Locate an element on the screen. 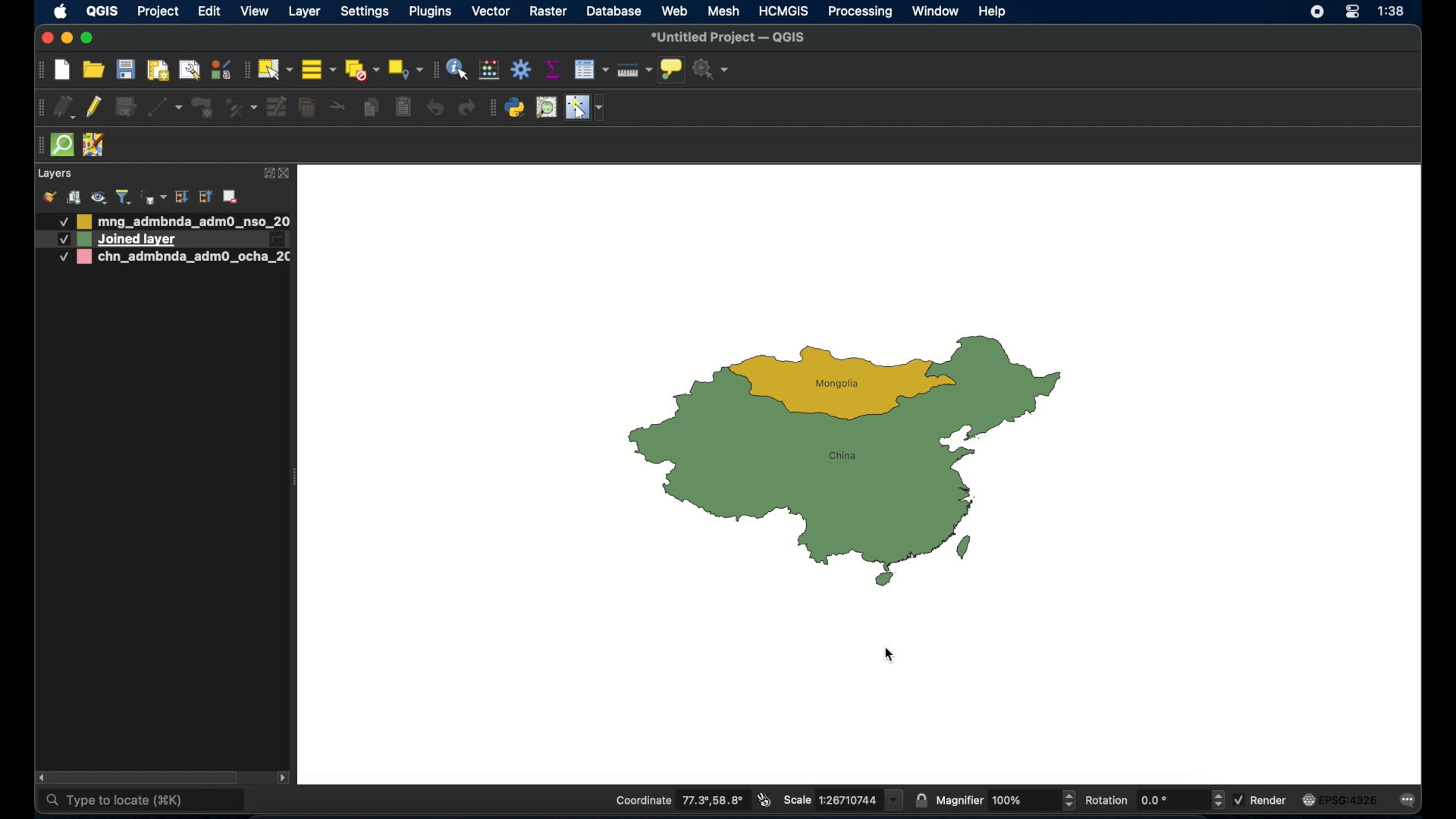 The height and width of the screenshot is (819, 1456). mesh is located at coordinates (723, 11).